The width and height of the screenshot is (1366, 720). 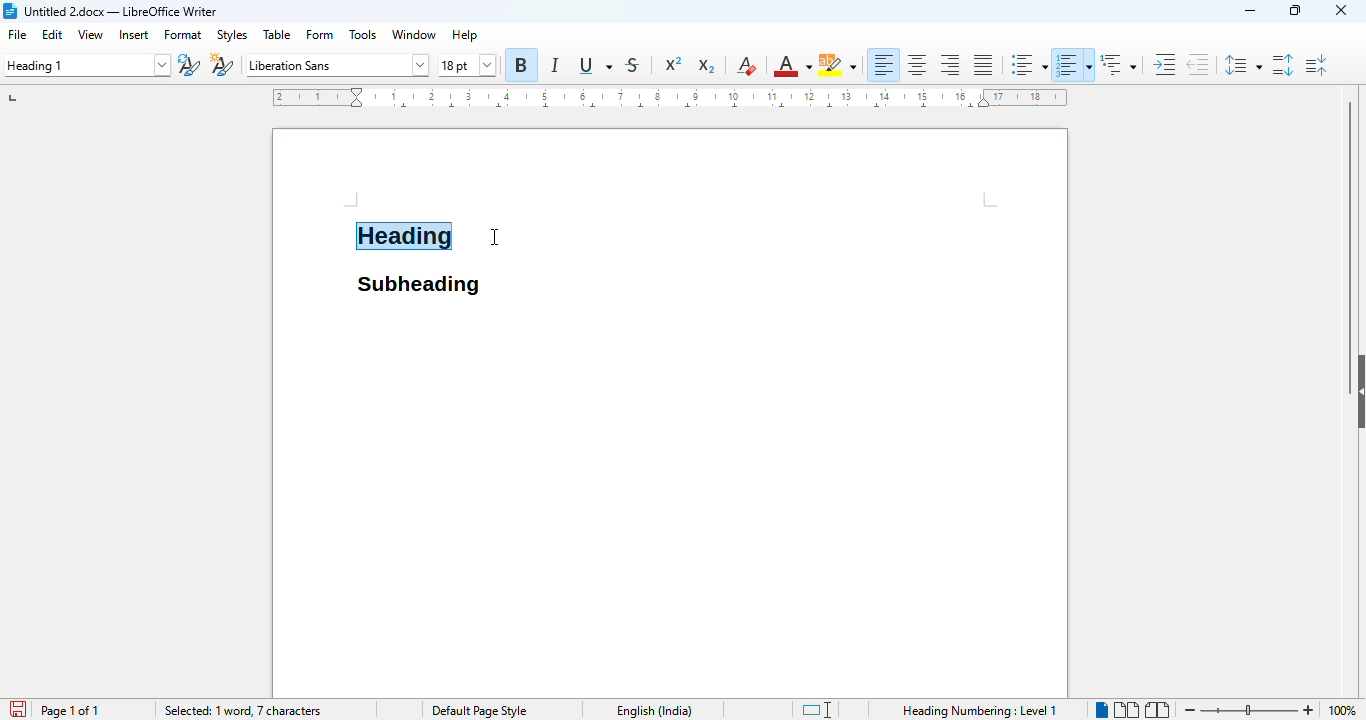 What do you see at coordinates (1188, 710) in the screenshot?
I see `zoom out` at bounding box center [1188, 710].